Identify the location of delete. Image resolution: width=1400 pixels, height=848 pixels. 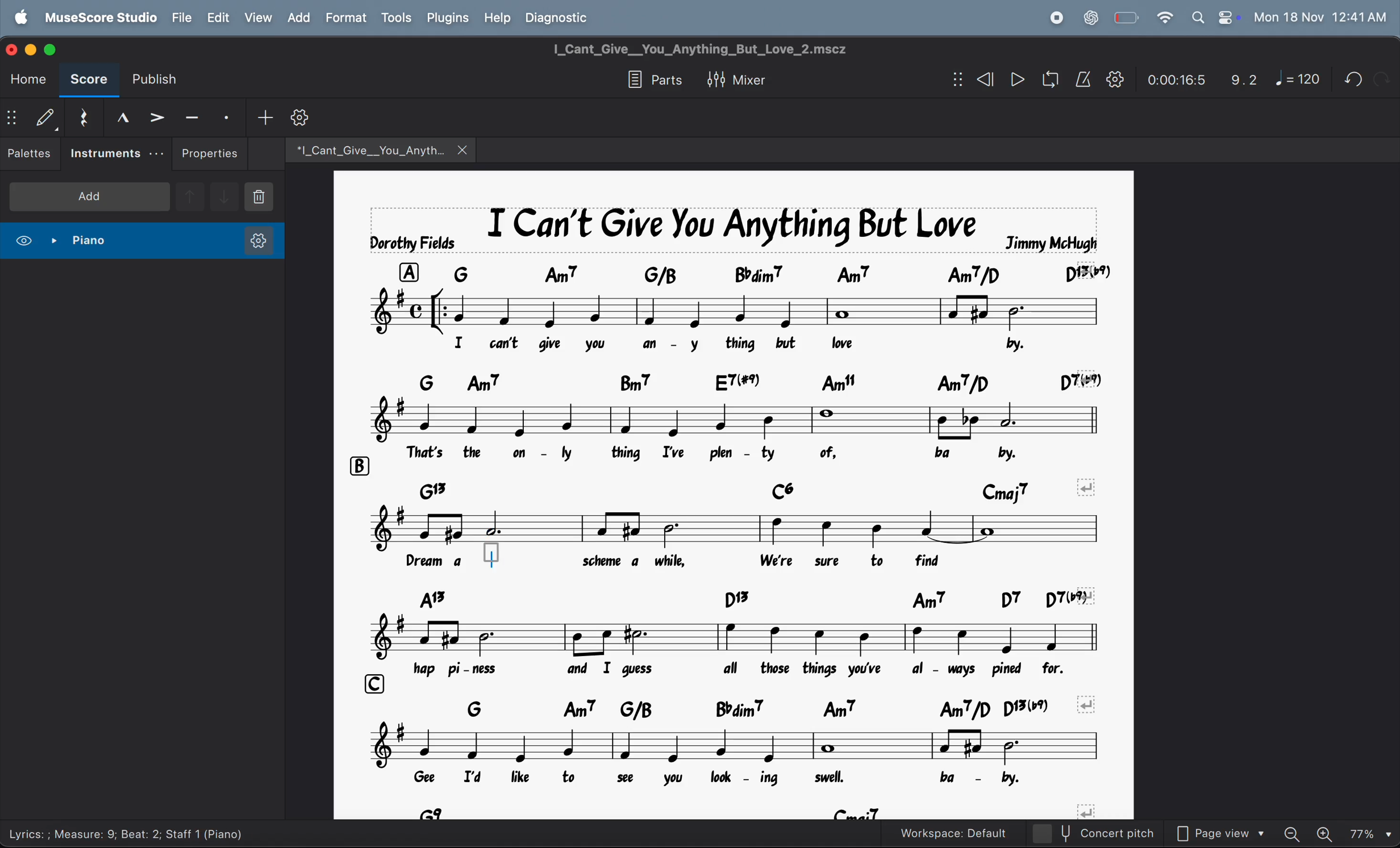
(268, 197).